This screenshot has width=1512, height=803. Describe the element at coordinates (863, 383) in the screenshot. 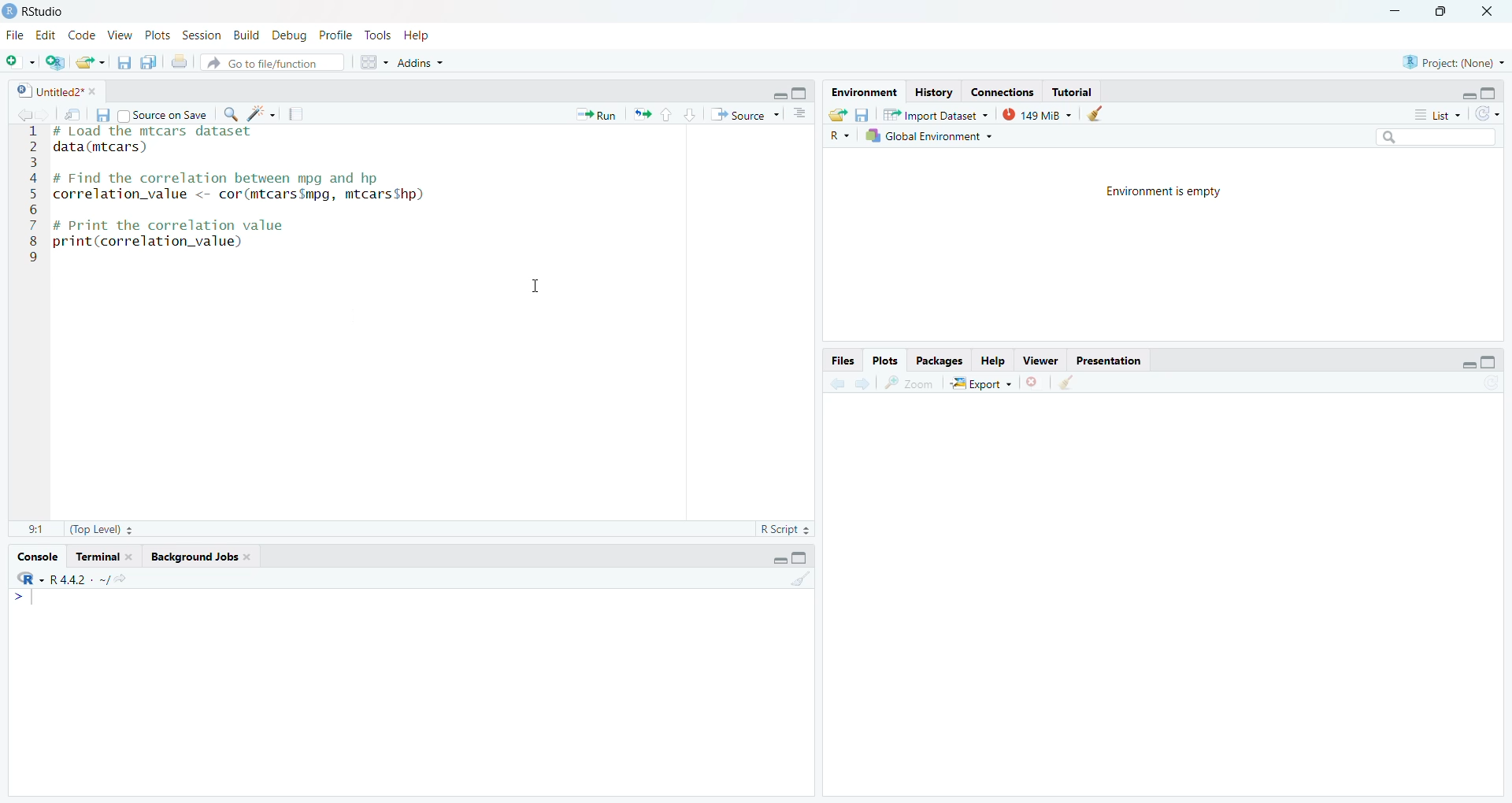

I see `Go forward to the next source location (Ctrl + F10)` at that location.